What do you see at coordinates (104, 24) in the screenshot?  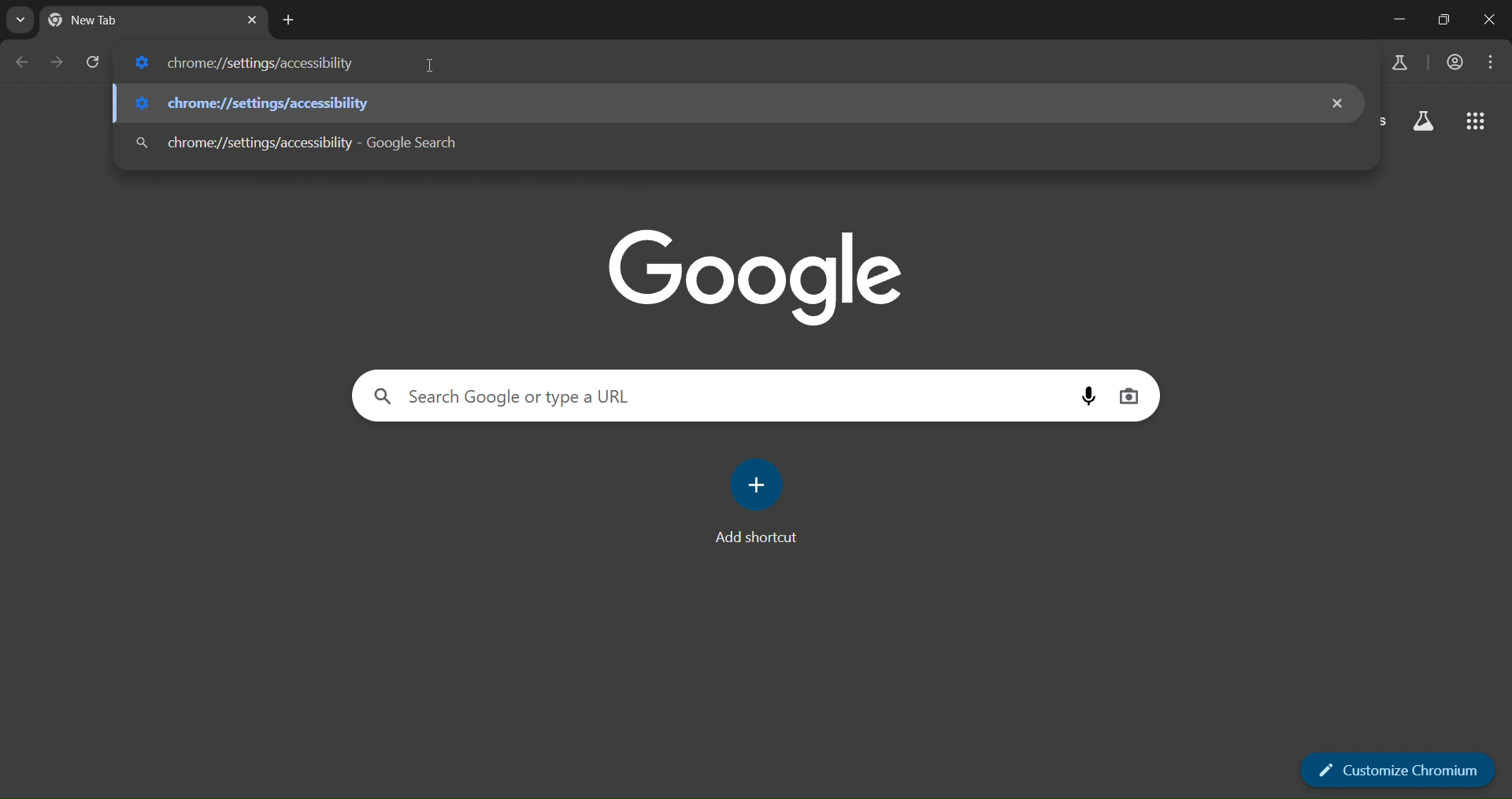 I see `New Tab` at bounding box center [104, 24].